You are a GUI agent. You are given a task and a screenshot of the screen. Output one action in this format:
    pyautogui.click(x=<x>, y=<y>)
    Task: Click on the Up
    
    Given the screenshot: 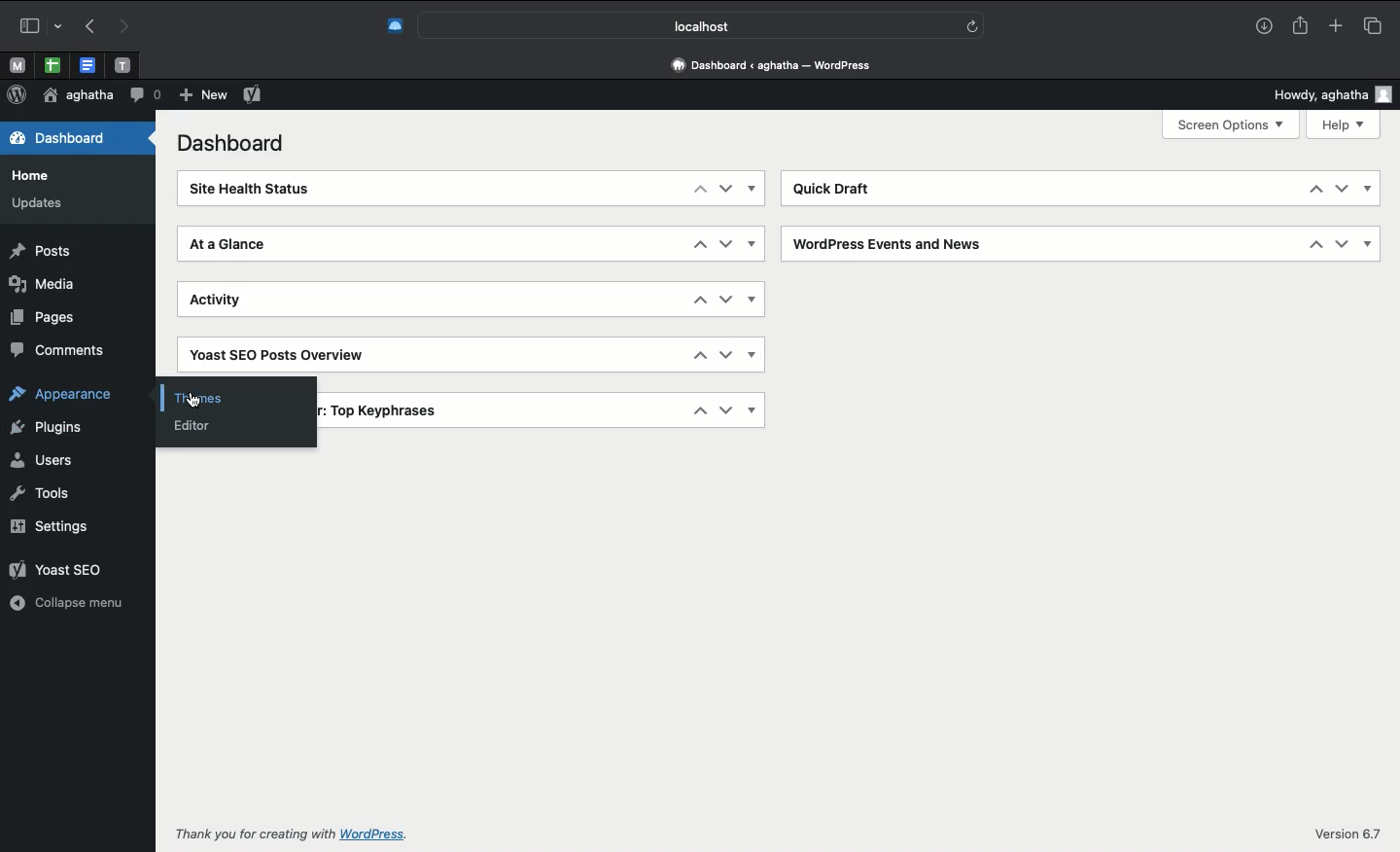 What is the action you would take?
    pyautogui.click(x=699, y=355)
    